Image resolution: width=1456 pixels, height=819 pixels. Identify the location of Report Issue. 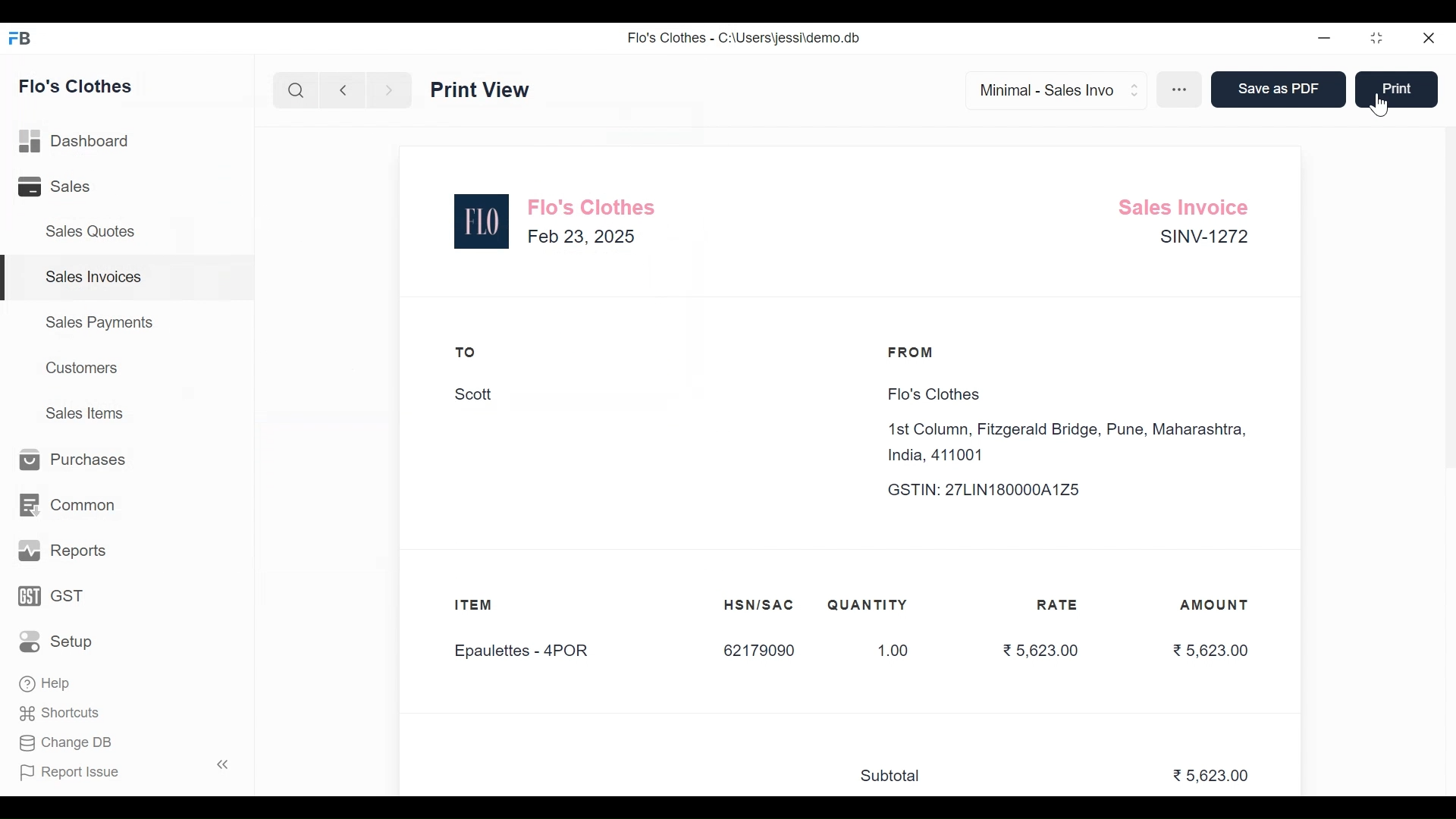
(120, 771).